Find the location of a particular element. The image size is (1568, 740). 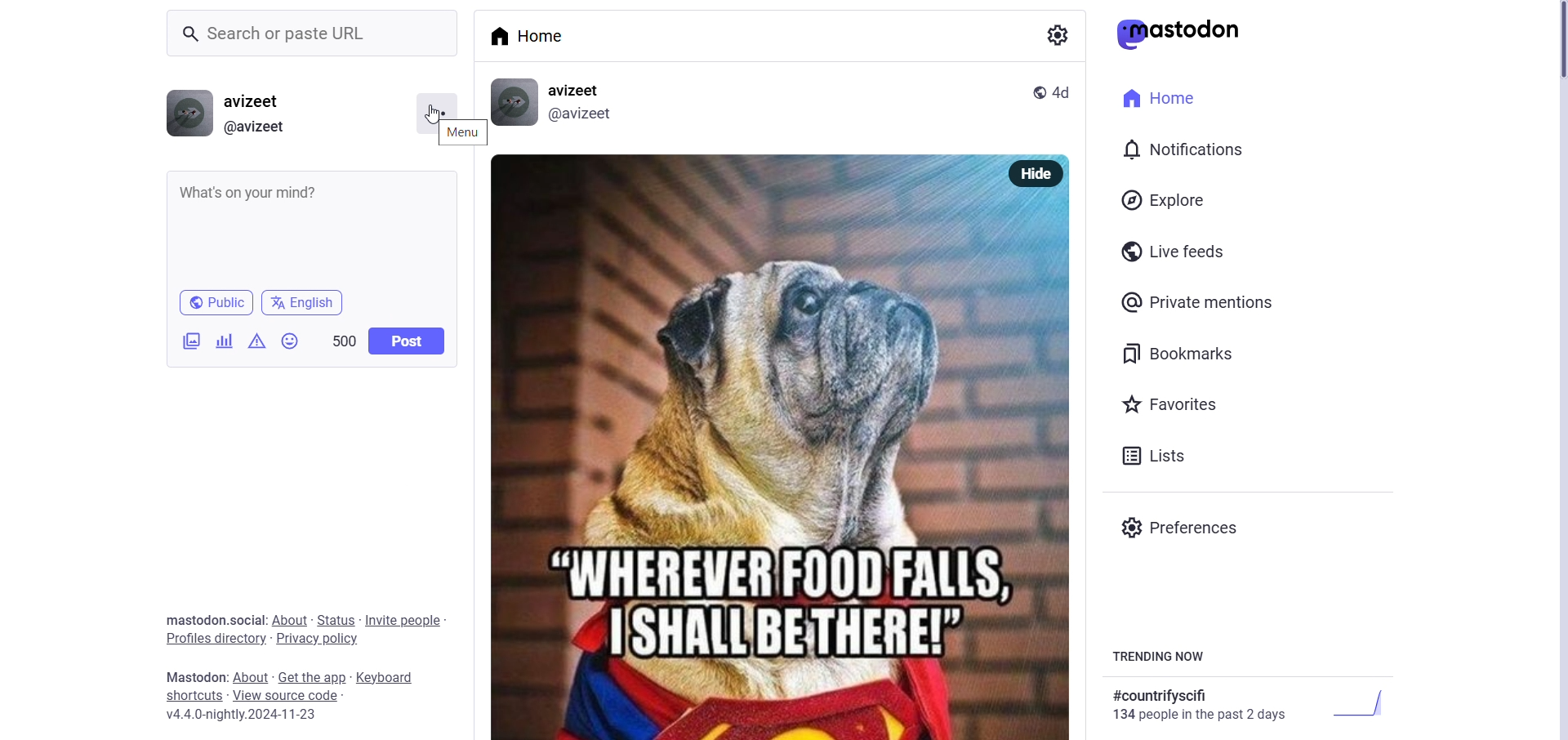

list is located at coordinates (1152, 457).